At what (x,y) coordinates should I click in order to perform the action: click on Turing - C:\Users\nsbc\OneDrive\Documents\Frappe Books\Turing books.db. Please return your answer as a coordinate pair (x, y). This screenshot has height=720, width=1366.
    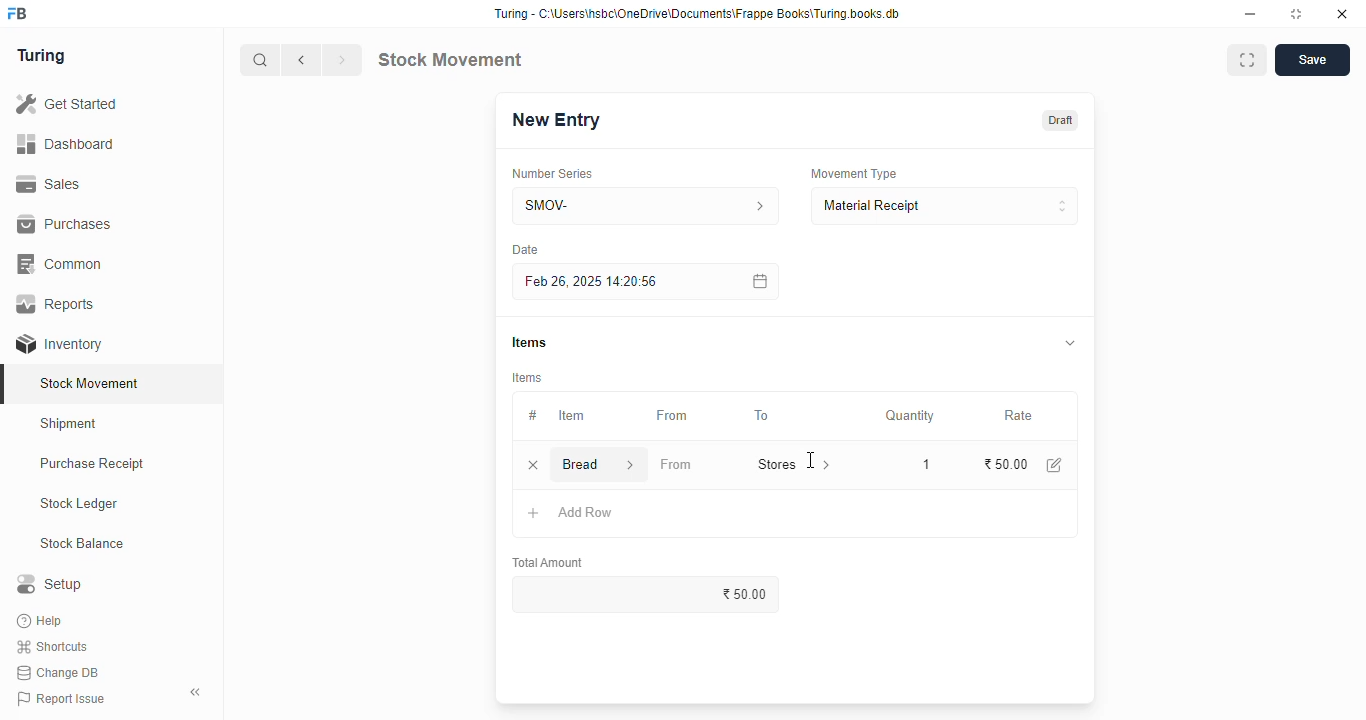
    Looking at the image, I should click on (698, 14).